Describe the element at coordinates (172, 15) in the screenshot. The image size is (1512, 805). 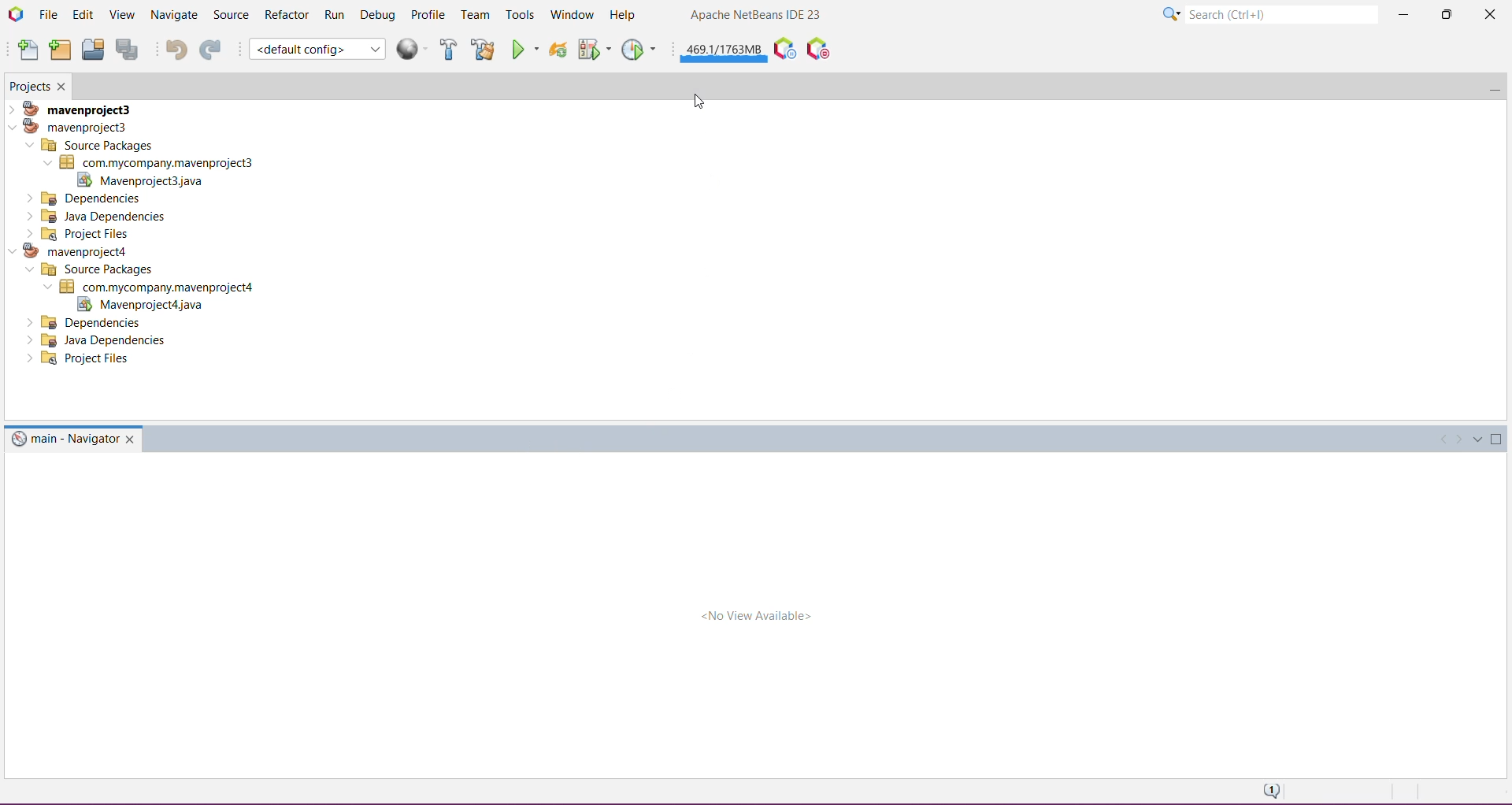
I see `Navigate` at that location.